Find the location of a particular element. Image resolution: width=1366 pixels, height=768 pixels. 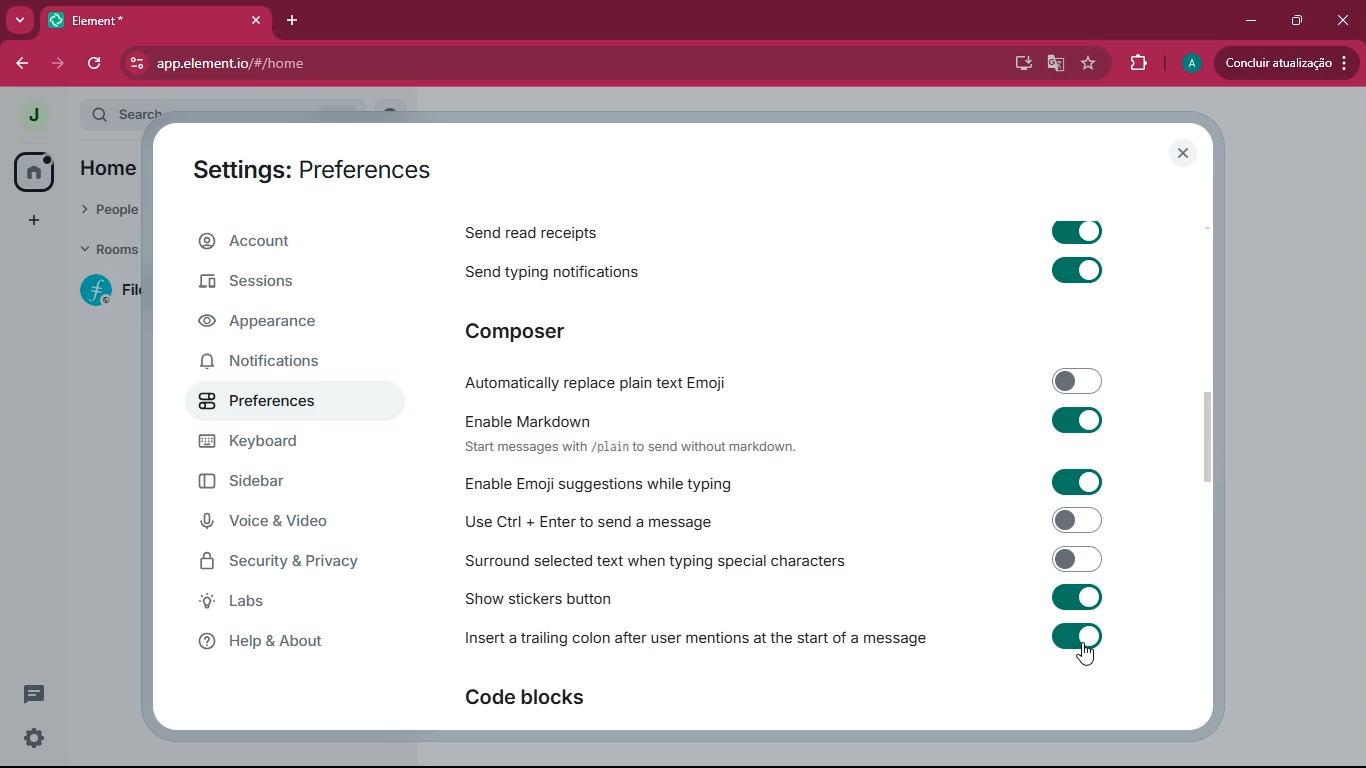

sidebar is located at coordinates (283, 481).